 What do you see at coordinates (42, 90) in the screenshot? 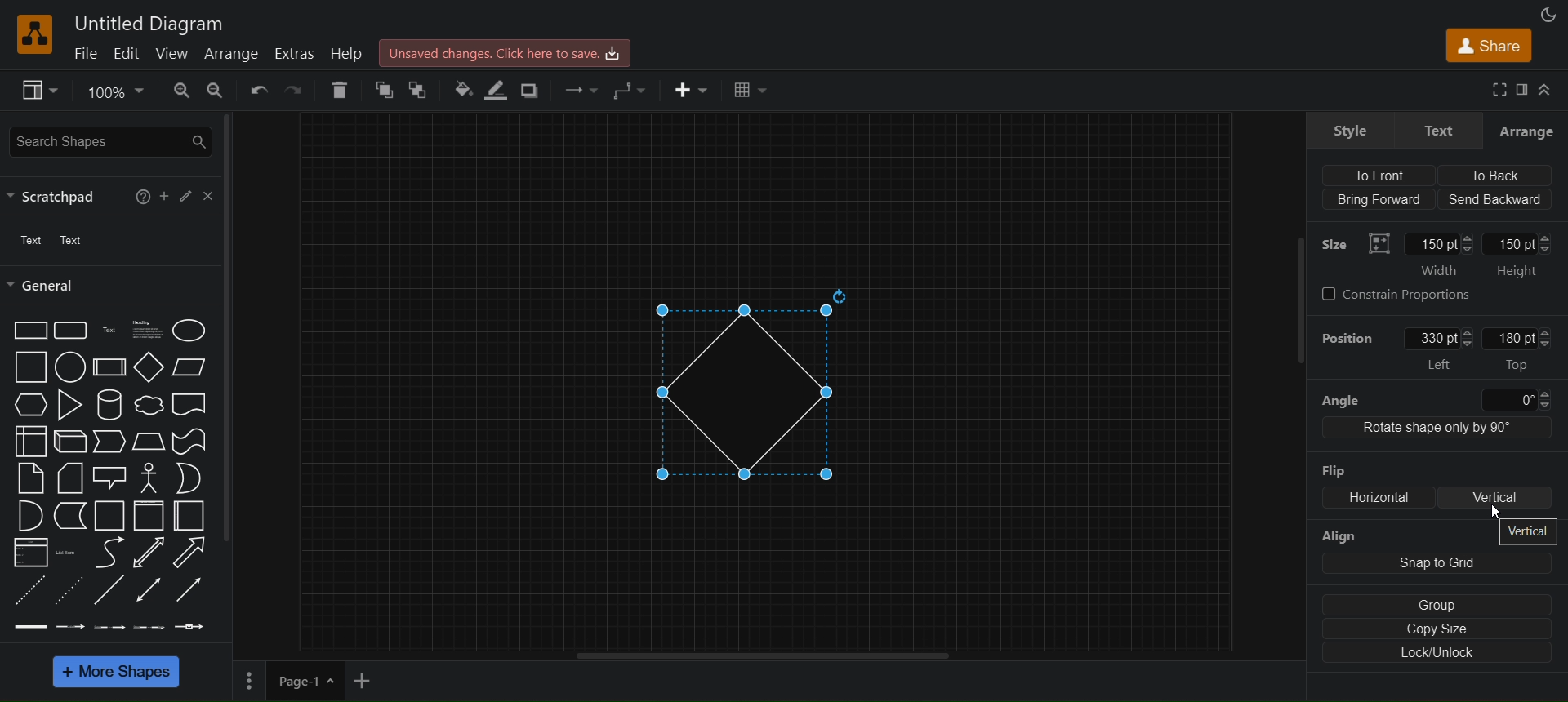
I see `view` at bounding box center [42, 90].